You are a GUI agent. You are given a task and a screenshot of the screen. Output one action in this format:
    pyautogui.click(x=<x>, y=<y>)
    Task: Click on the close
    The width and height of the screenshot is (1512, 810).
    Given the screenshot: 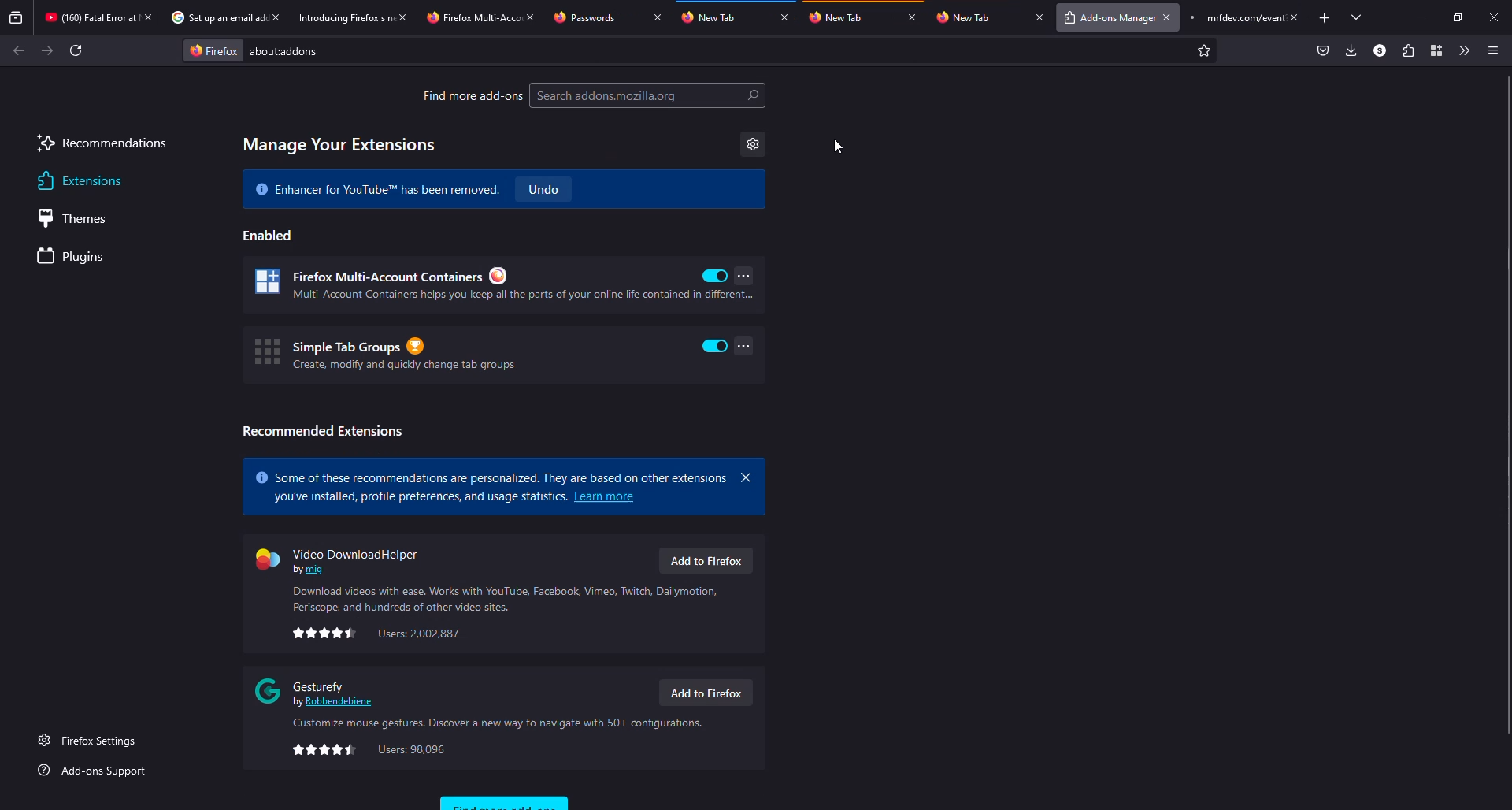 What is the action you would take?
    pyautogui.click(x=1495, y=18)
    